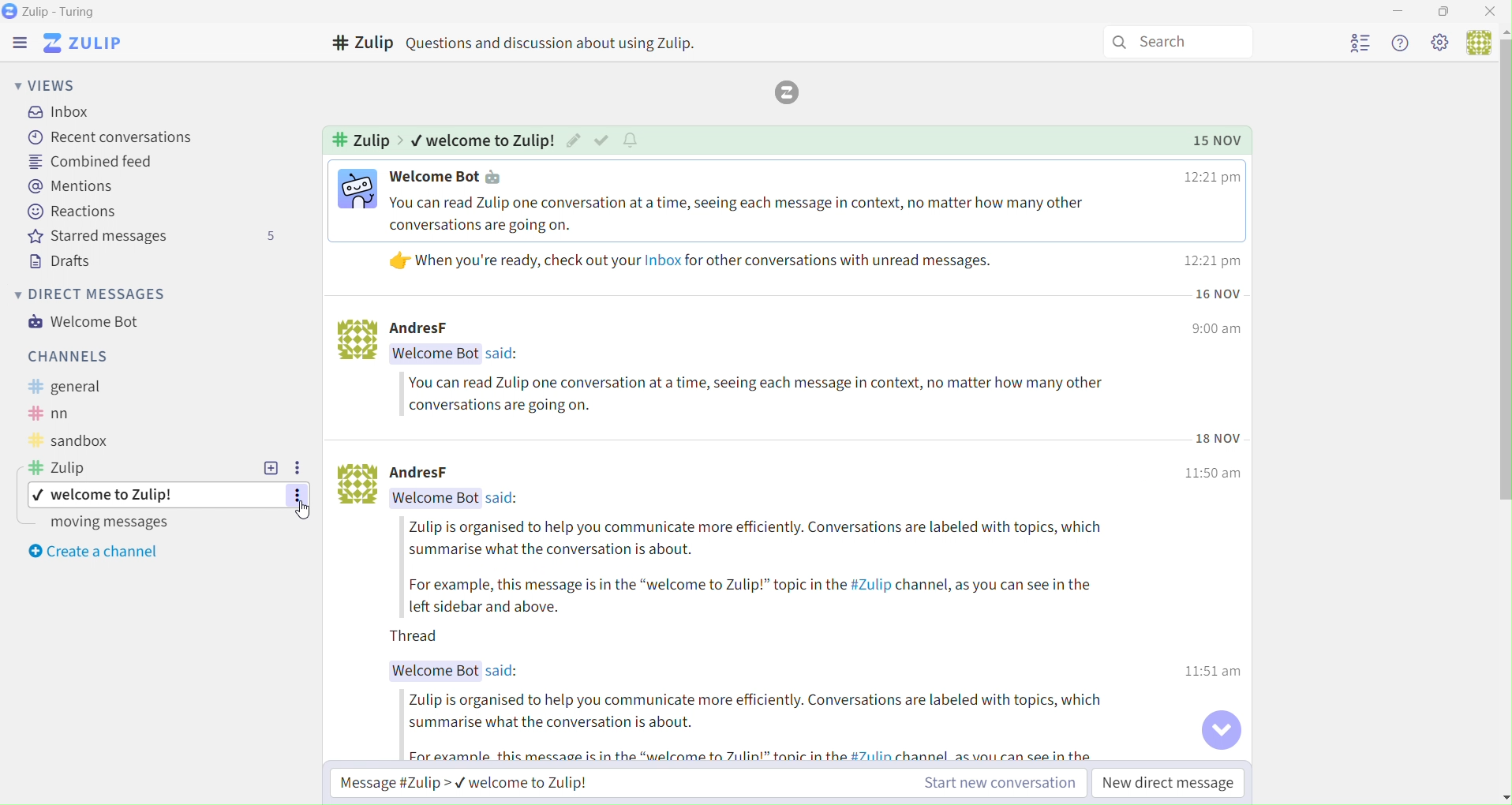 The height and width of the screenshot is (805, 1512). What do you see at coordinates (69, 442) in the screenshot?
I see `Text` at bounding box center [69, 442].